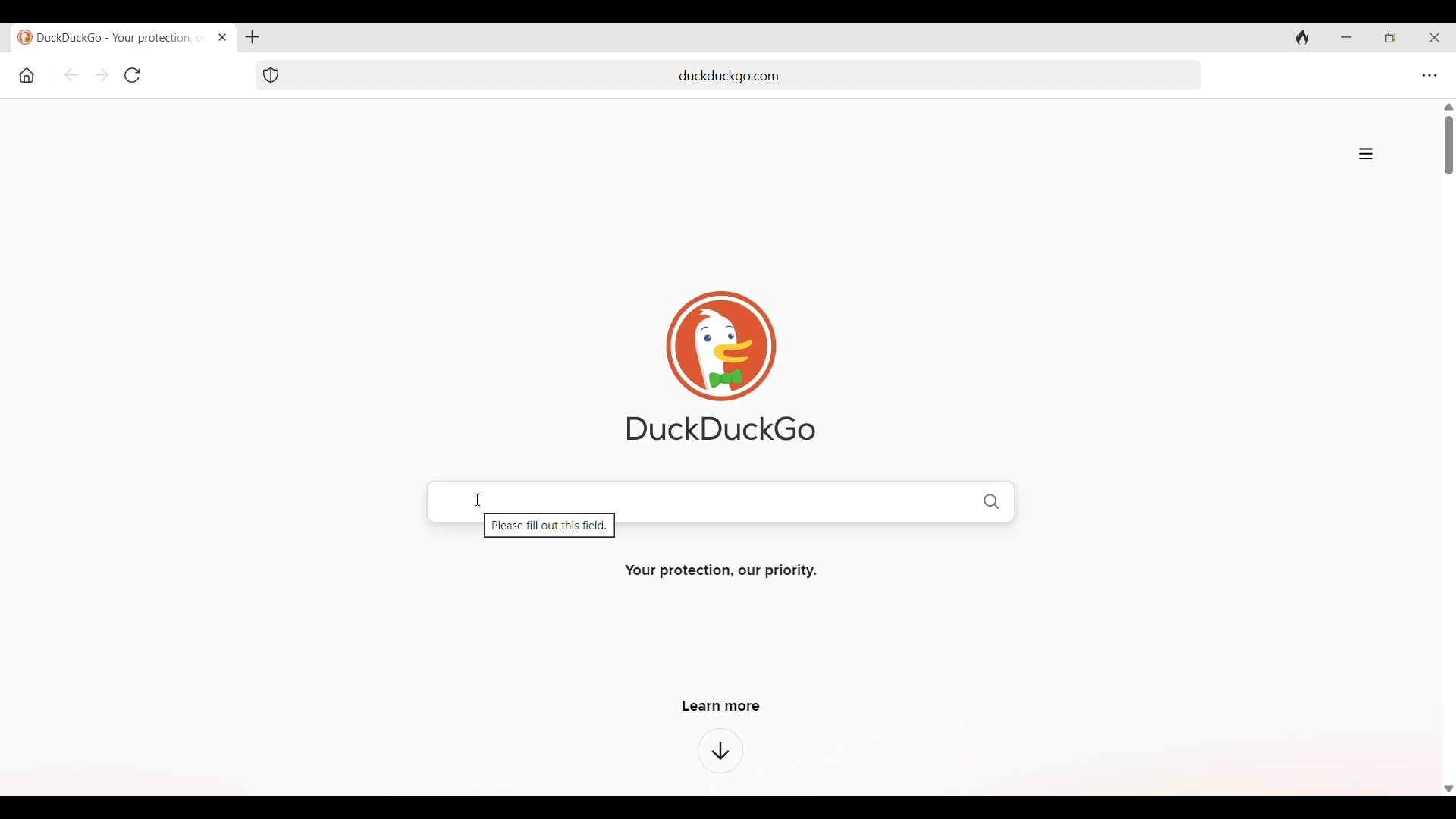 The width and height of the screenshot is (1456, 819). What do you see at coordinates (253, 37) in the screenshot?
I see `Add new tab` at bounding box center [253, 37].